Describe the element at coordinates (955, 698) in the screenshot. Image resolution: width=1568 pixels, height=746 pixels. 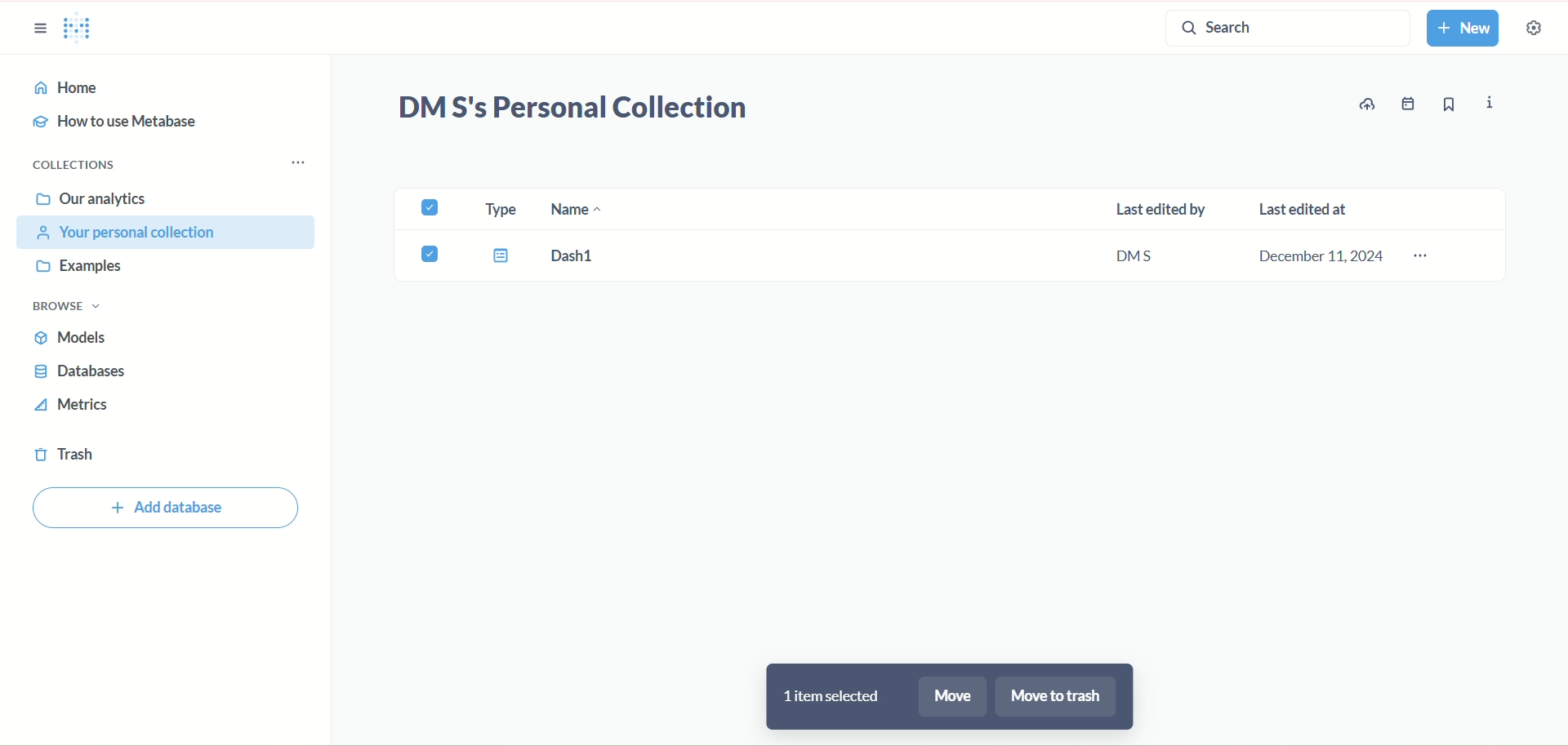
I see `more` at that location.